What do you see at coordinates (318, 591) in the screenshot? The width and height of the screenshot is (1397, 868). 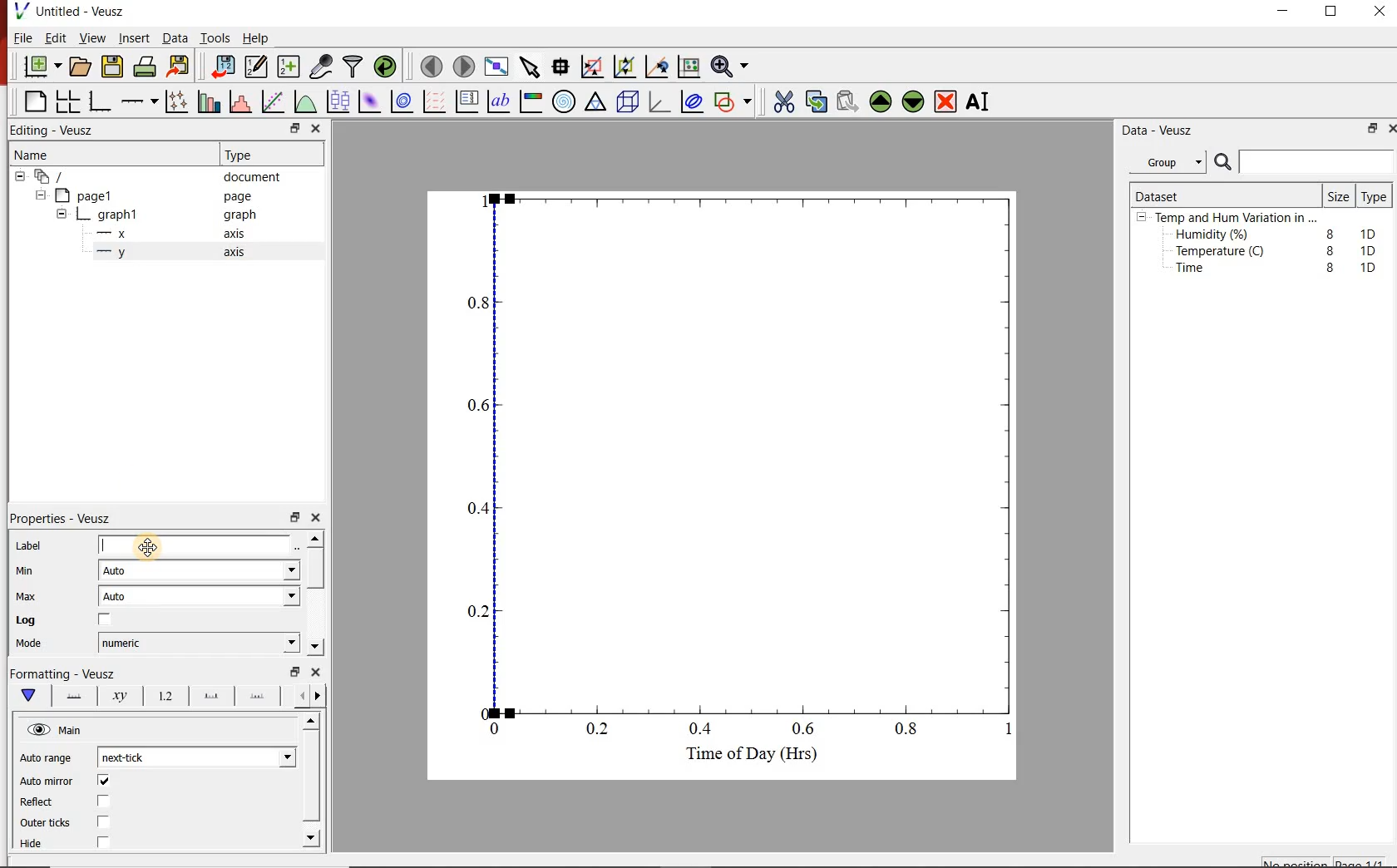 I see `scroll bar` at bounding box center [318, 591].